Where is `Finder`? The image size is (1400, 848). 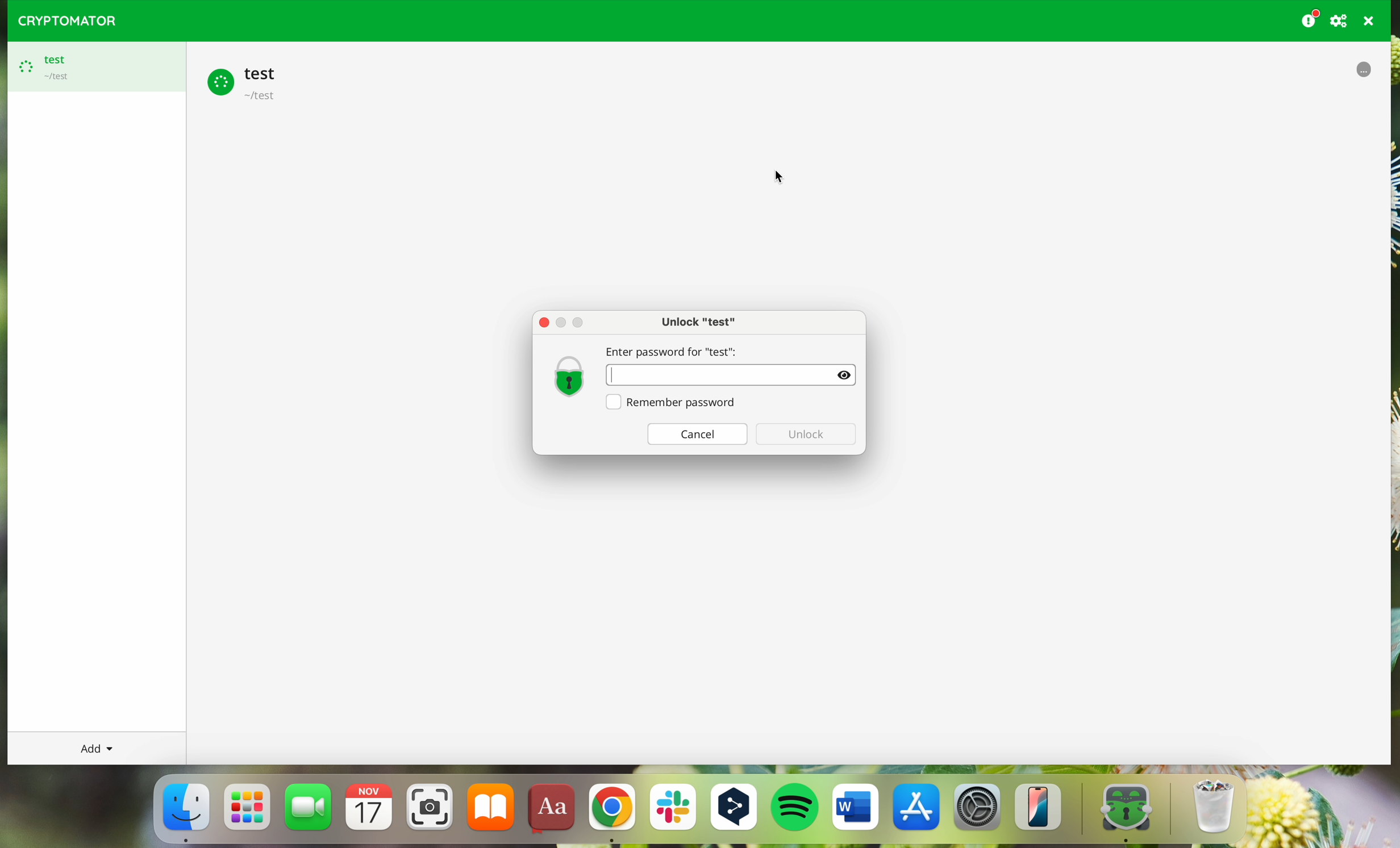 Finder is located at coordinates (185, 810).